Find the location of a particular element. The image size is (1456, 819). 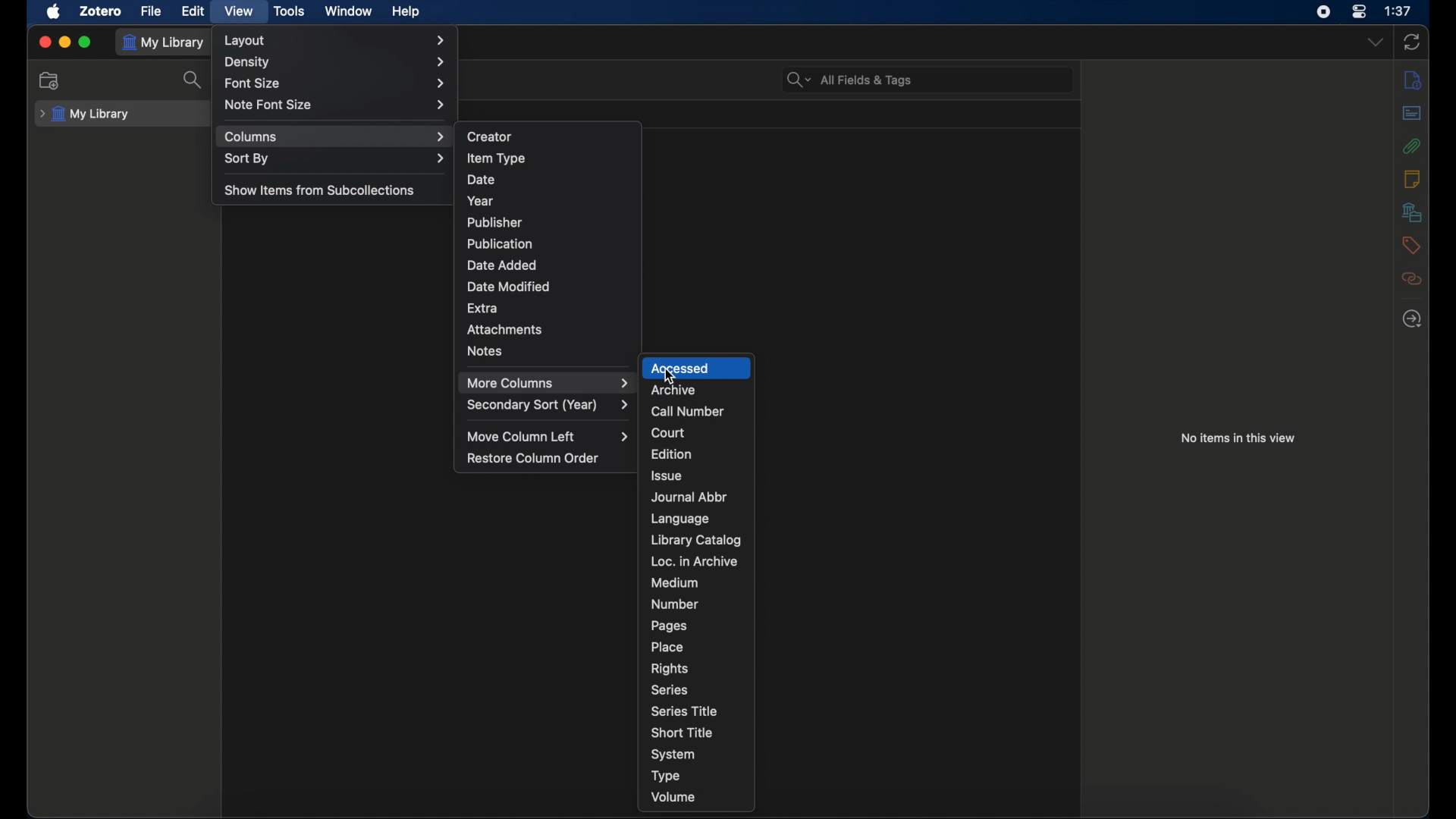

accessed is located at coordinates (696, 368).